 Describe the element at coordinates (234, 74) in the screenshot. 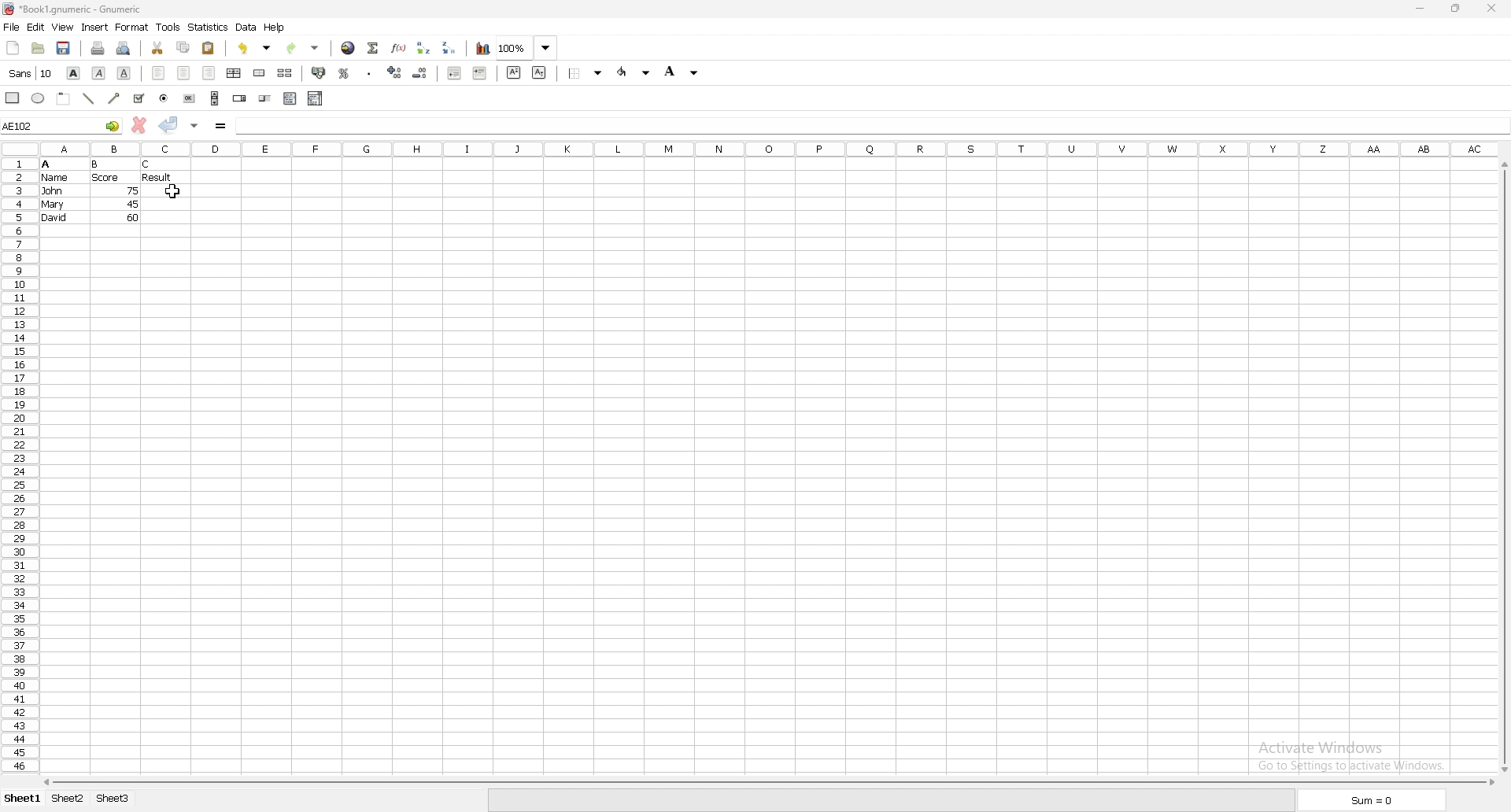

I see `center horizontally` at that location.